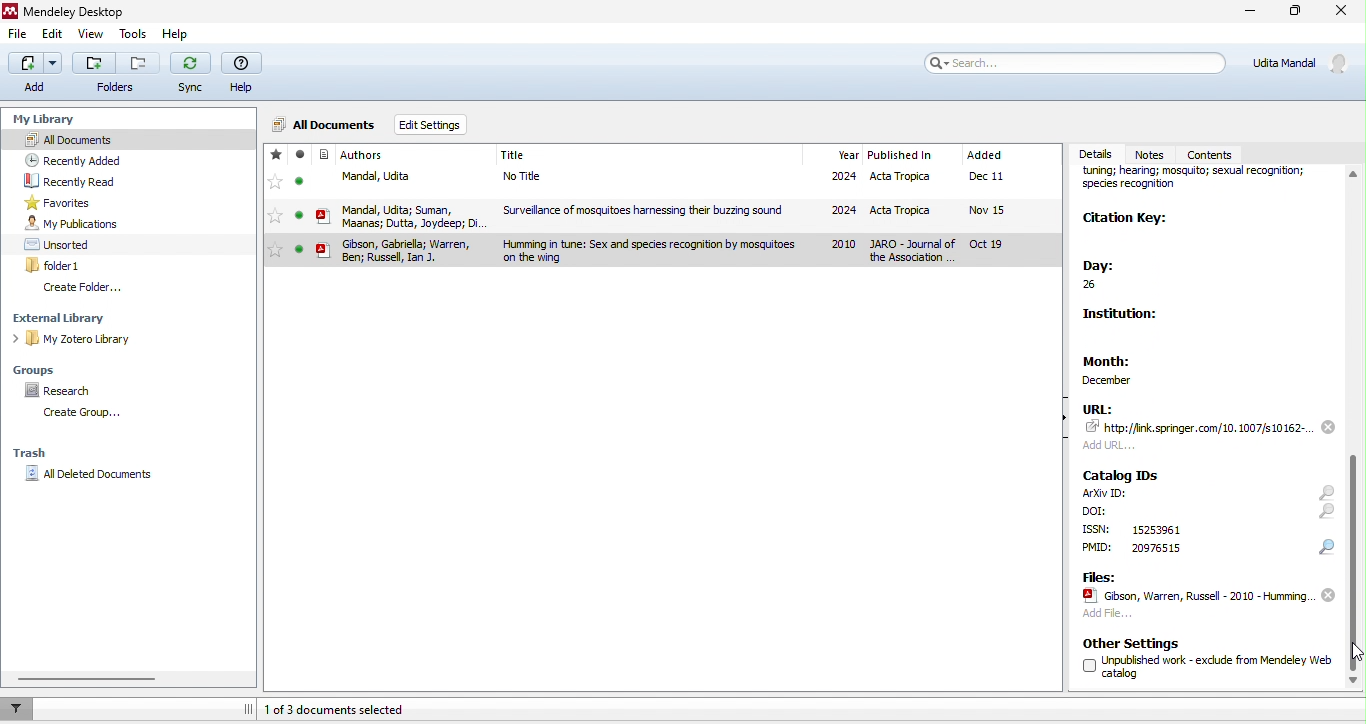 This screenshot has height=724, width=1366. What do you see at coordinates (300, 186) in the screenshot?
I see `seen/unseen` at bounding box center [300, 186].